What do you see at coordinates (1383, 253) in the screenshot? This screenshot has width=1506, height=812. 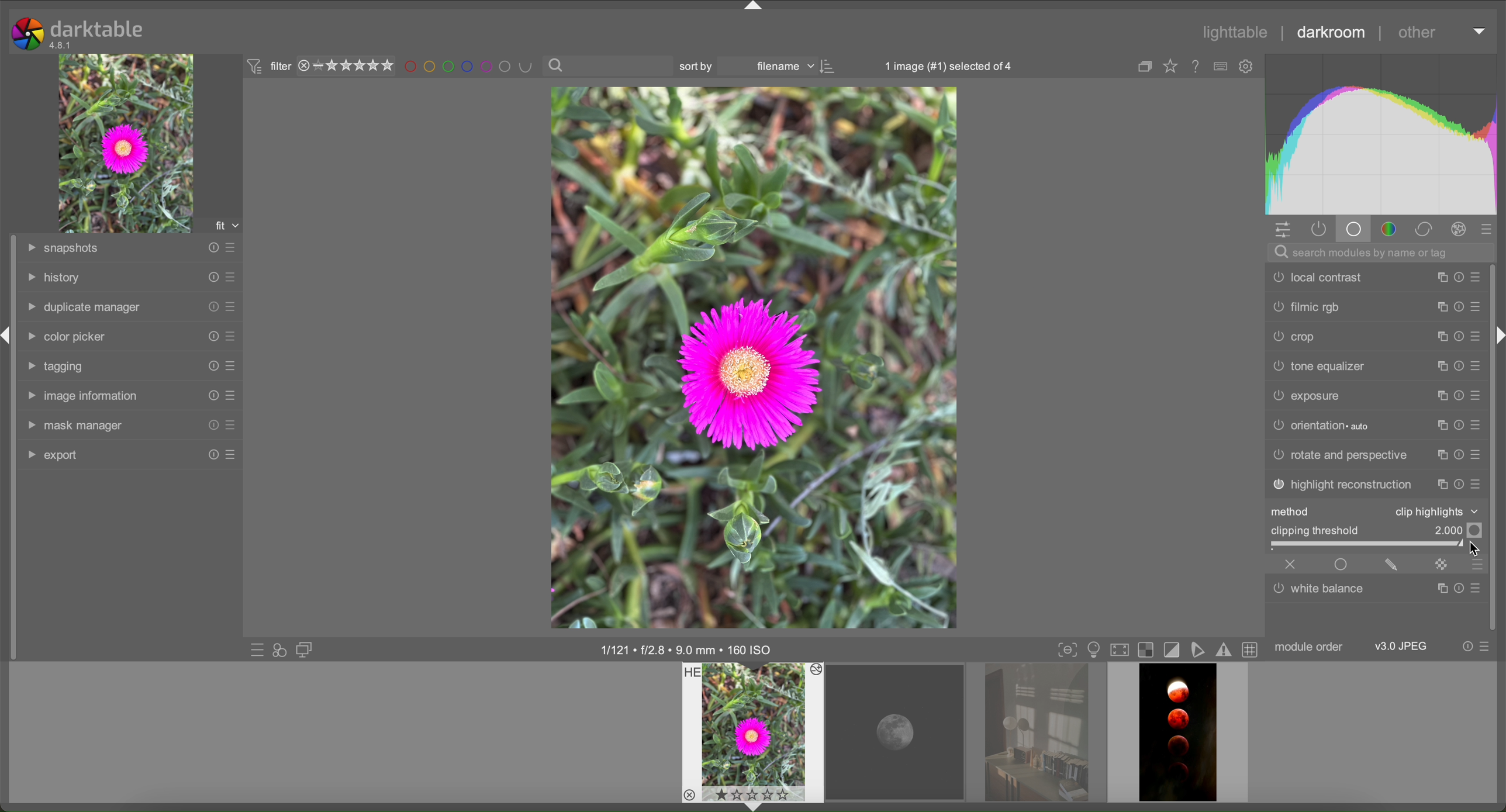 I see `search bar` at bounding box center [1383, 253].